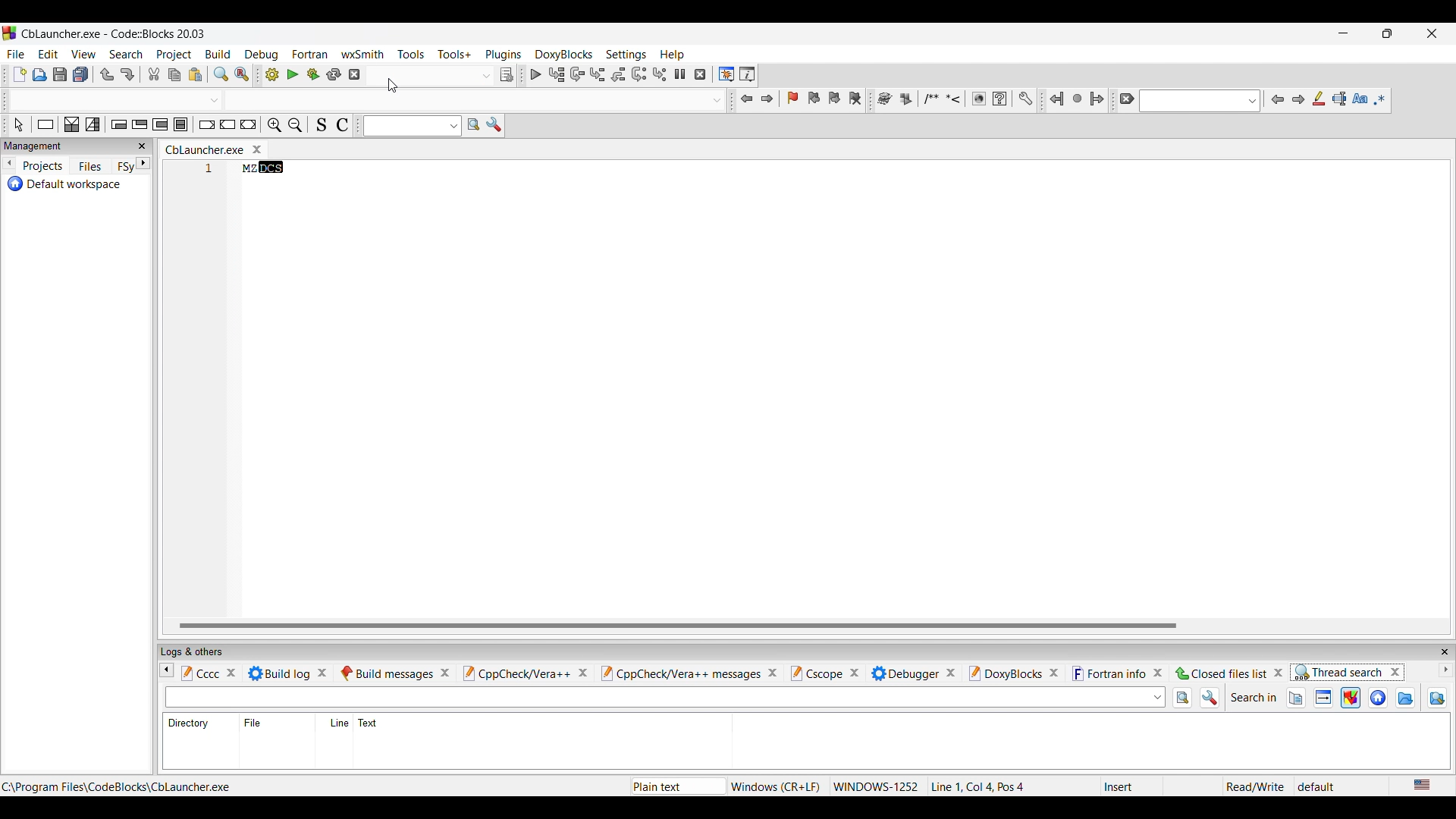  Describe the element at coordinates (334, 74) in the screenshot. I see `Rebuild` at that location.